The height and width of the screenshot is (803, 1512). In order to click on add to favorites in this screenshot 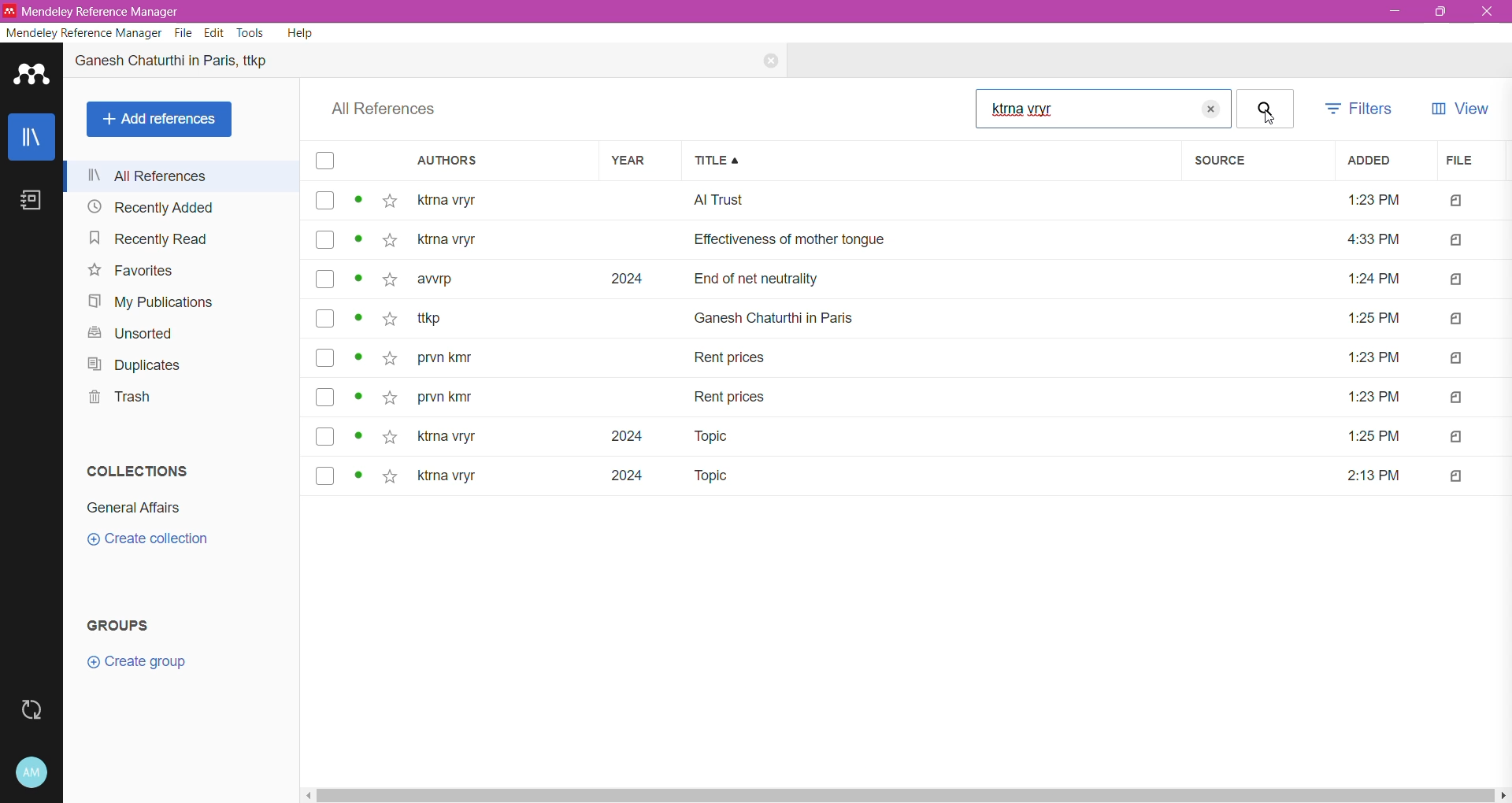, I will do `click(391, 240)`.